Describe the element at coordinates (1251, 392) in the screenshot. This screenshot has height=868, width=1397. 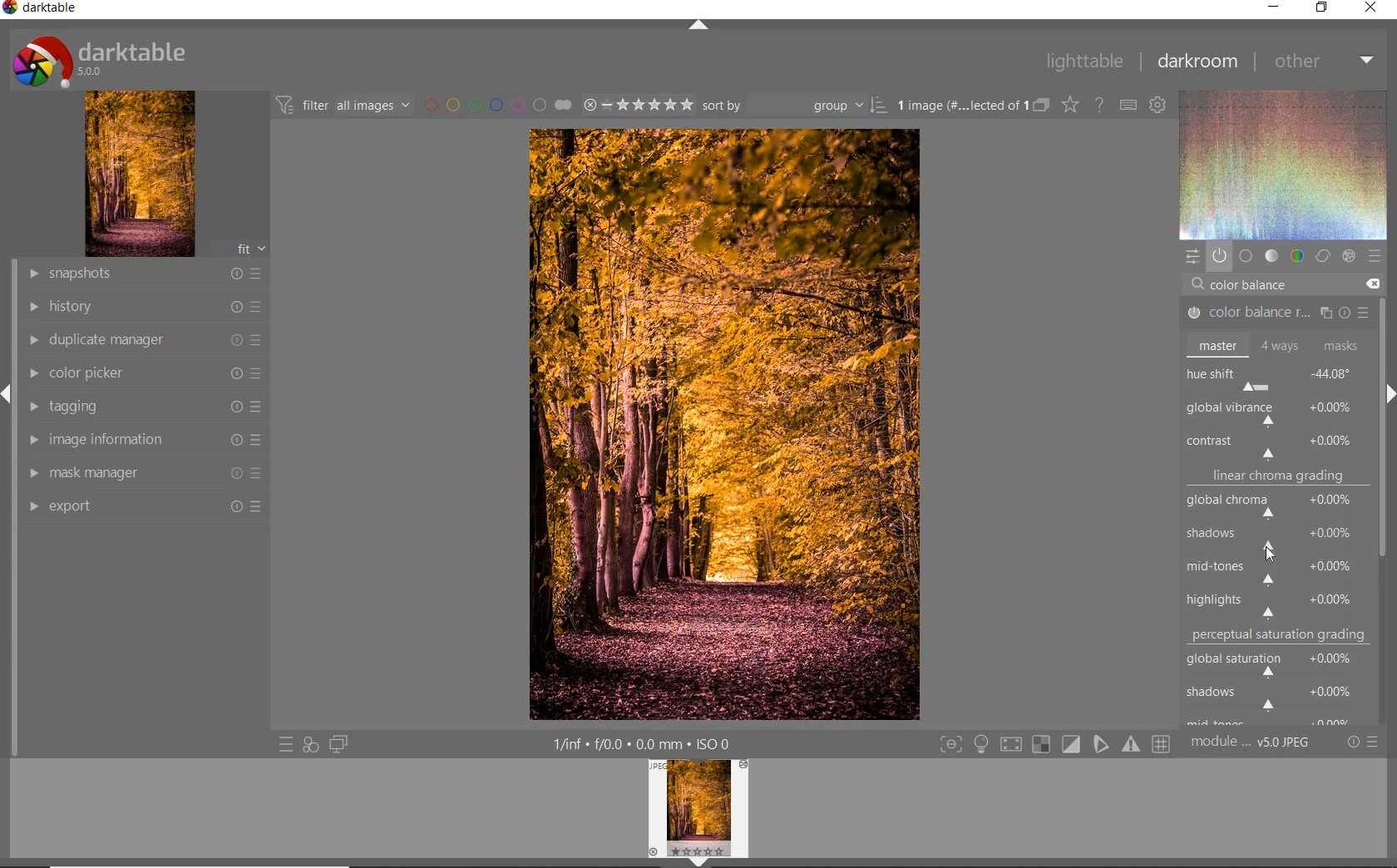
I see `CURSOR POSITION` at that location.